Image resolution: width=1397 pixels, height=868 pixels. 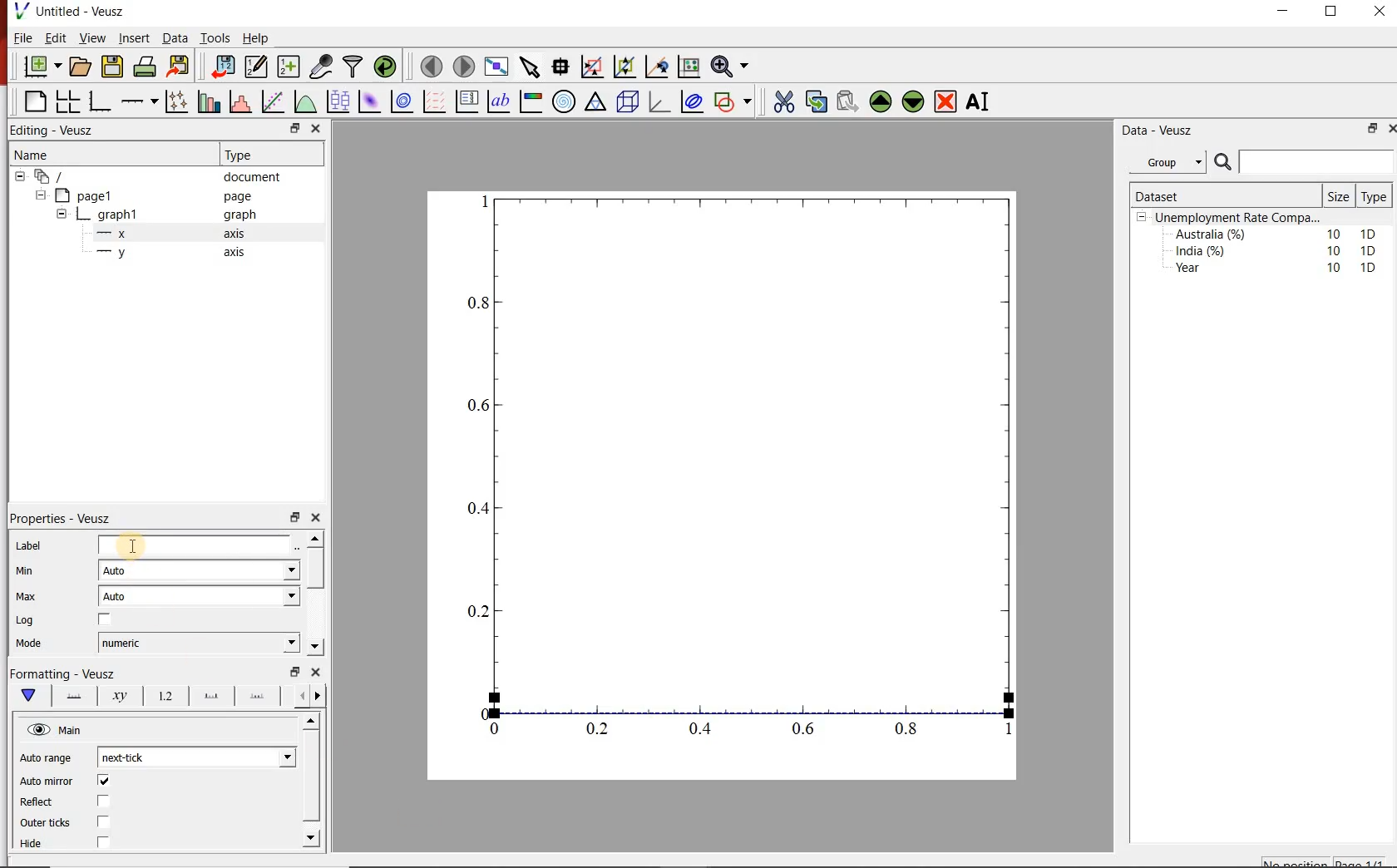 I want to click on graph chart, so click(x=723, y=486).